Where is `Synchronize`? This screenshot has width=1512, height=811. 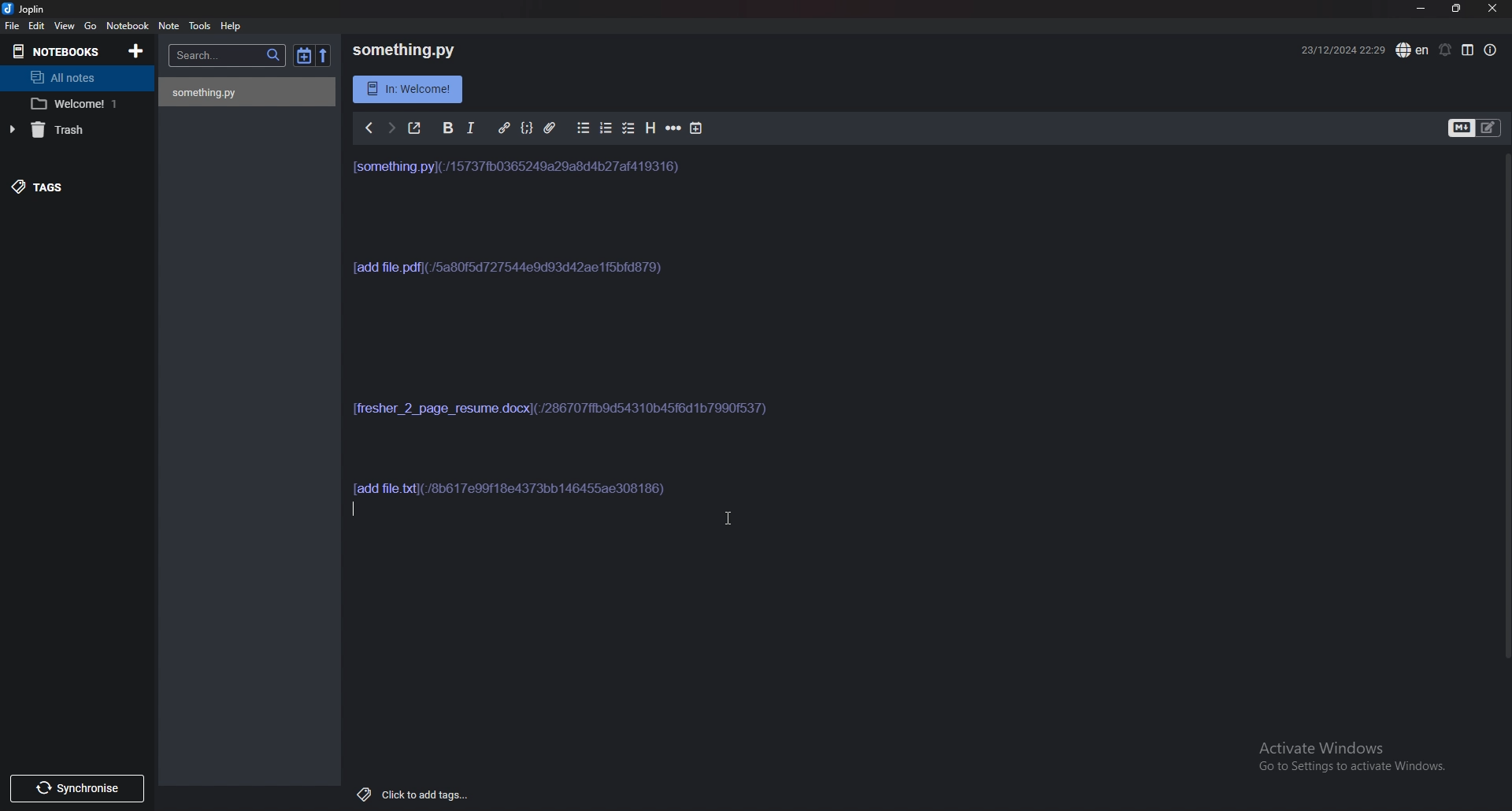
Synchronize is located at coordinates (76, 788).